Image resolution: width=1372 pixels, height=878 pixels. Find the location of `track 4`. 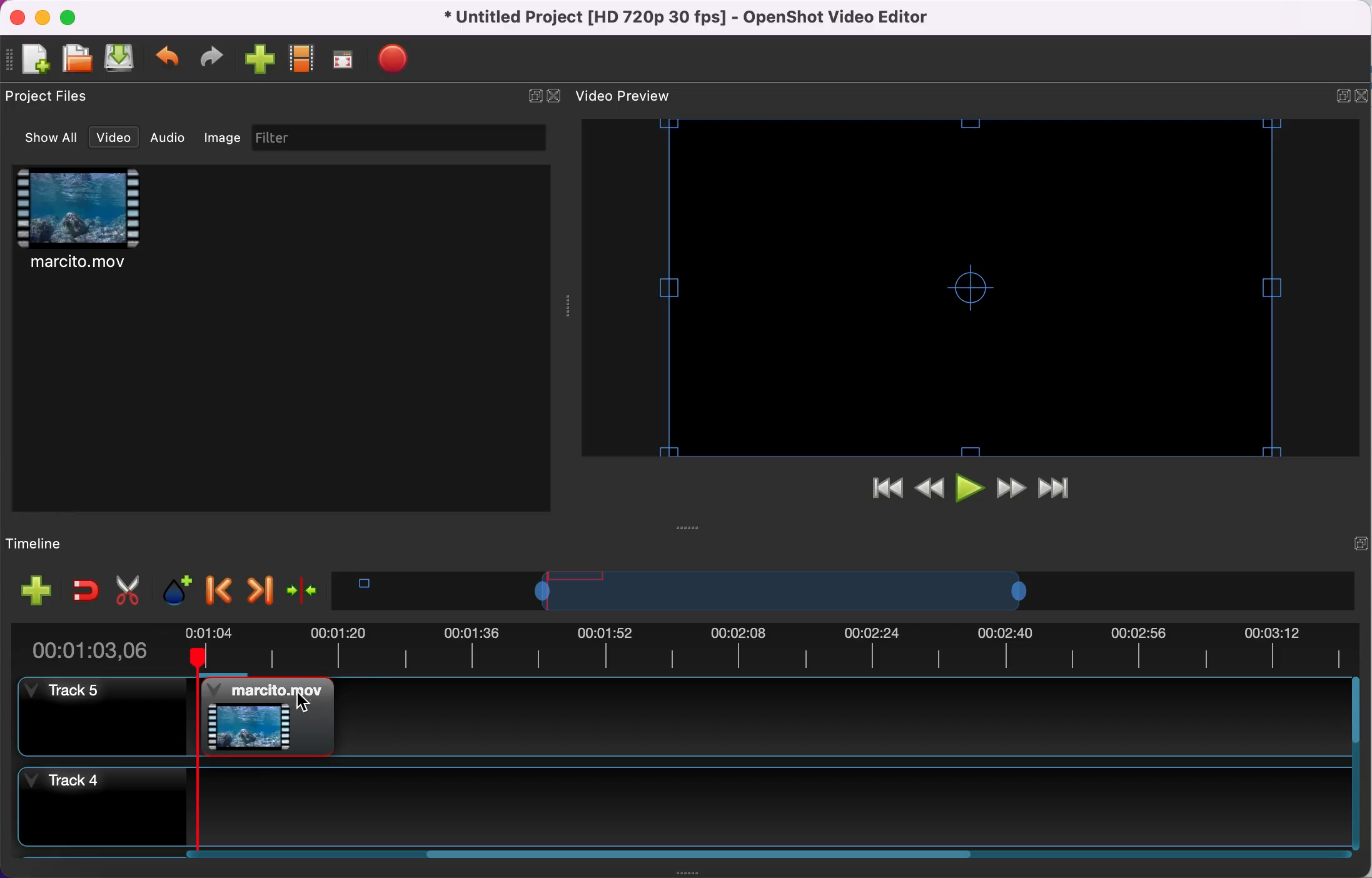

track 4 is located at coordinates (86, 804).